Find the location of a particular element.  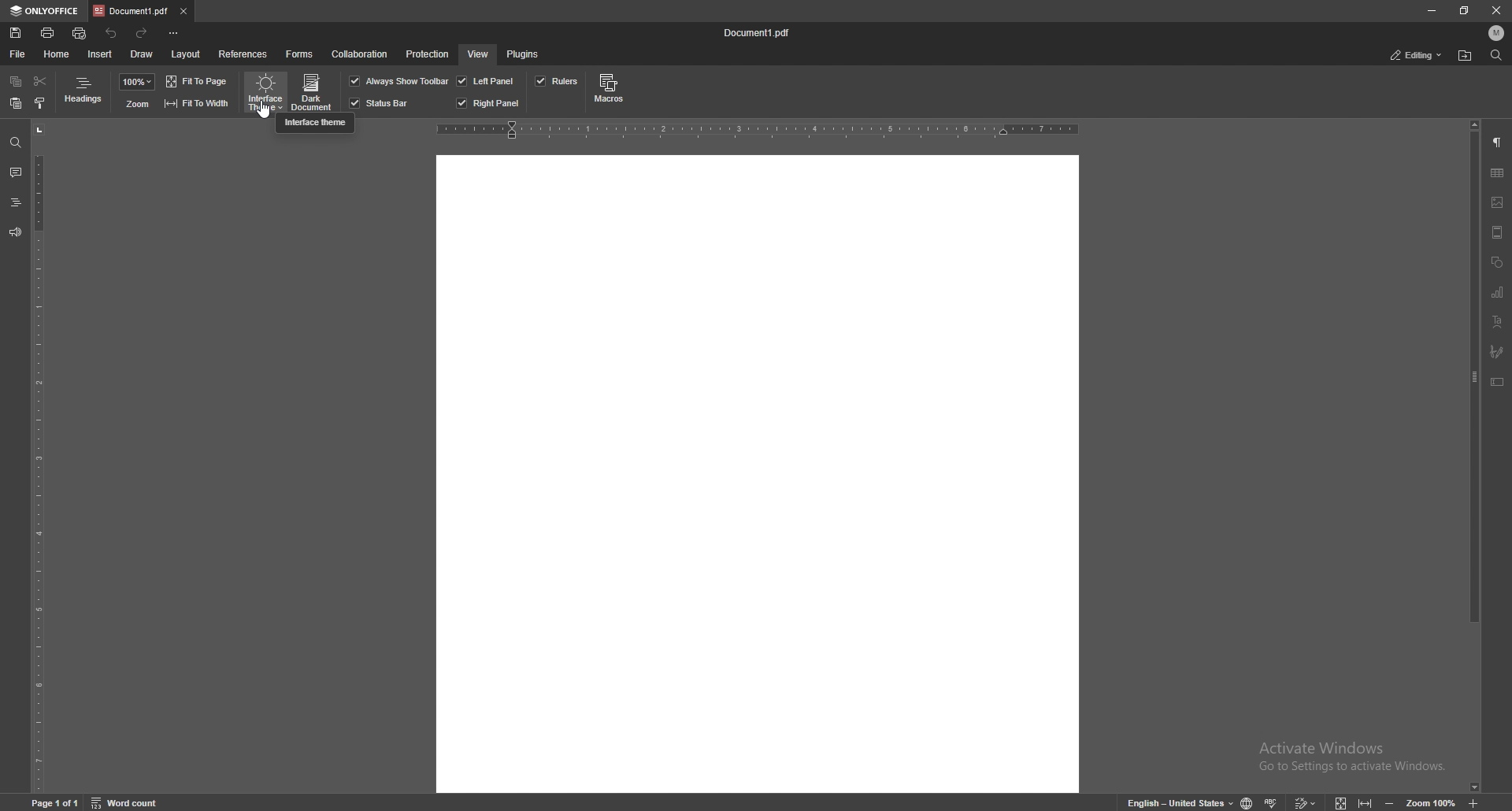

table is located at coordinates (1497, 173).